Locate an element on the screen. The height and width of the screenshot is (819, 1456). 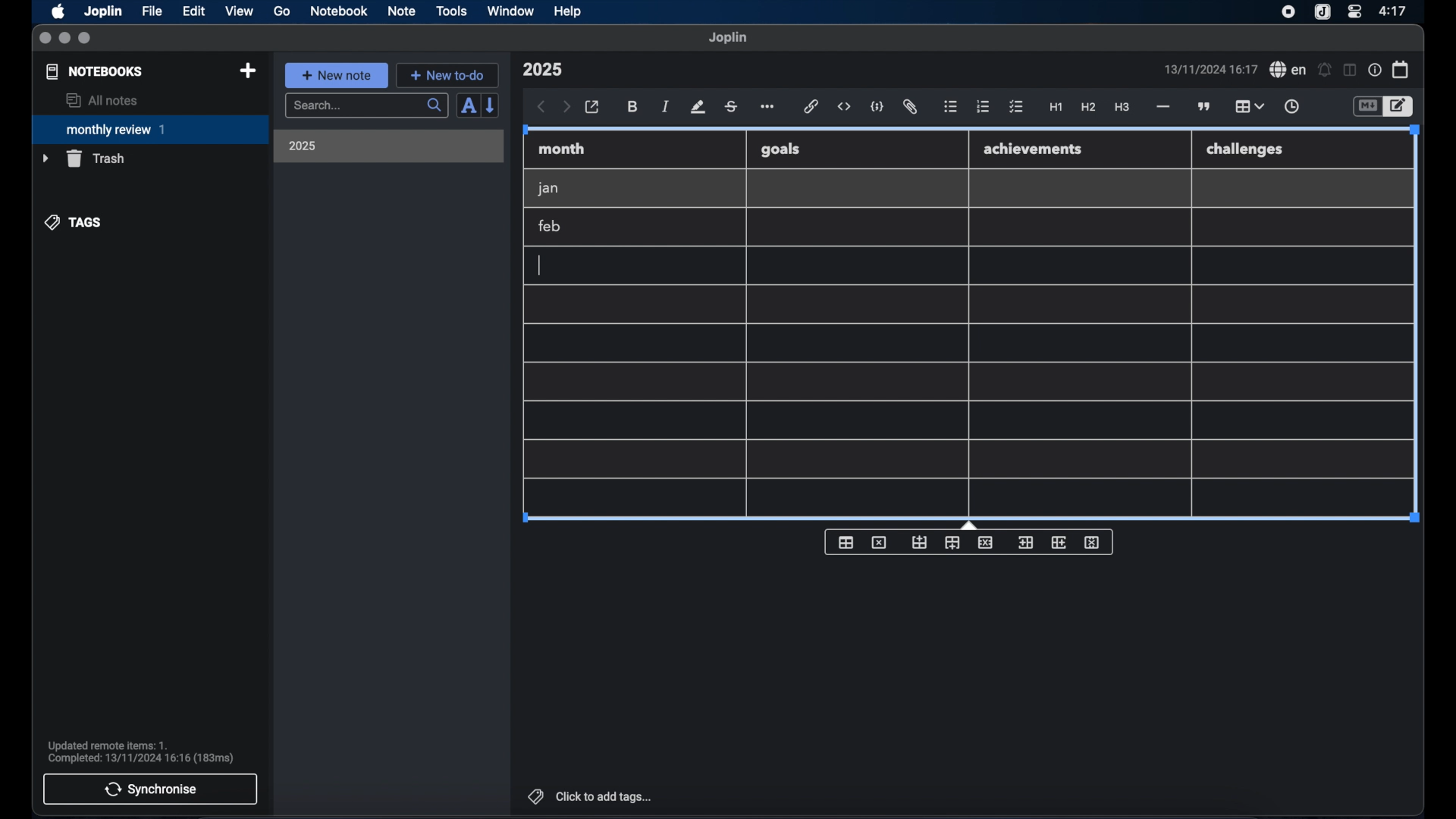
numbered list is located at coordinates (983, 106).